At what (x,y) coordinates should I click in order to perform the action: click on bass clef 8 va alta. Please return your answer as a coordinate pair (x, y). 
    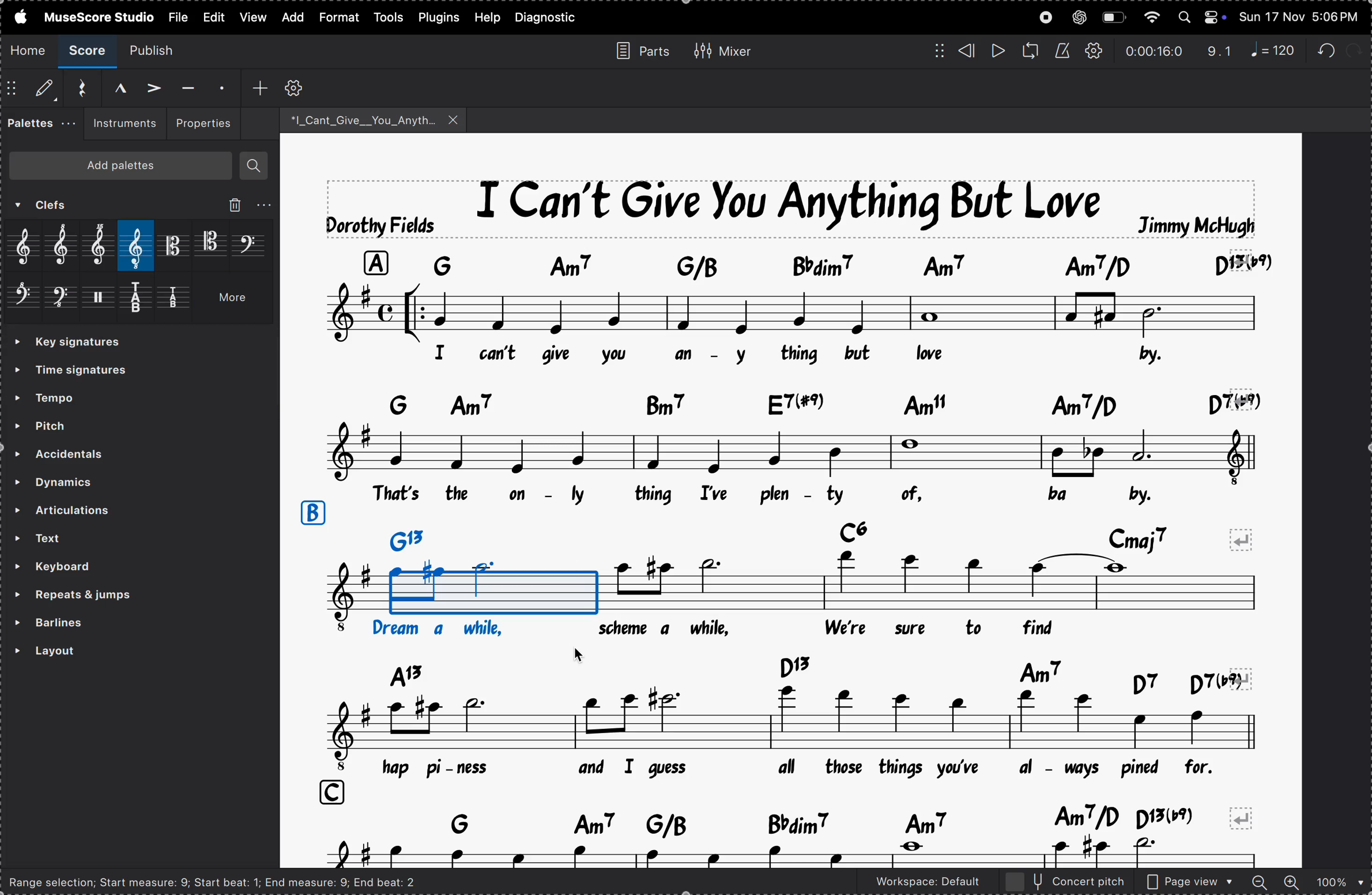
    Looking at the image, I should click on (24, 300).